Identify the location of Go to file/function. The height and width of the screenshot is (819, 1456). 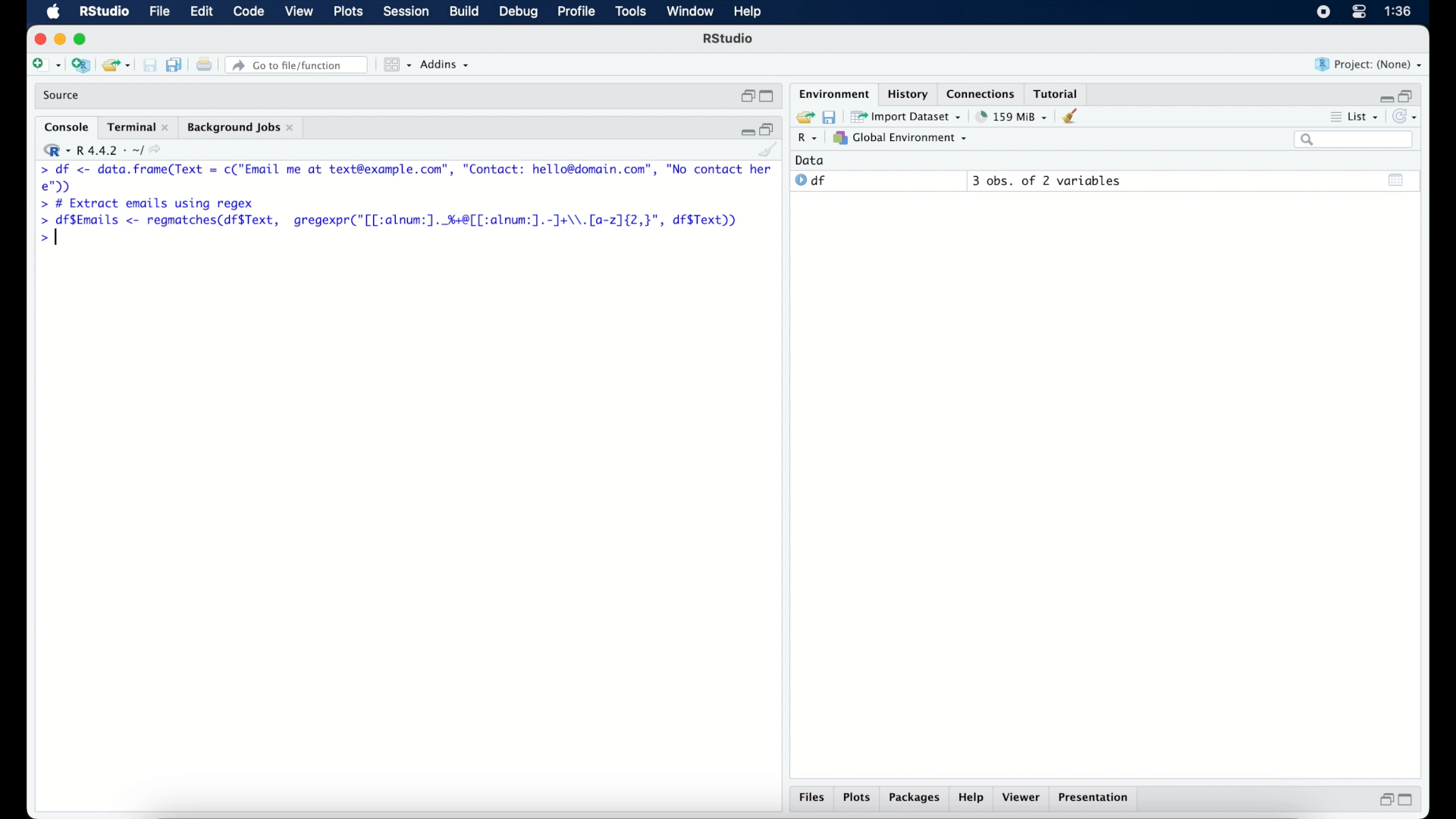
(297, 64).